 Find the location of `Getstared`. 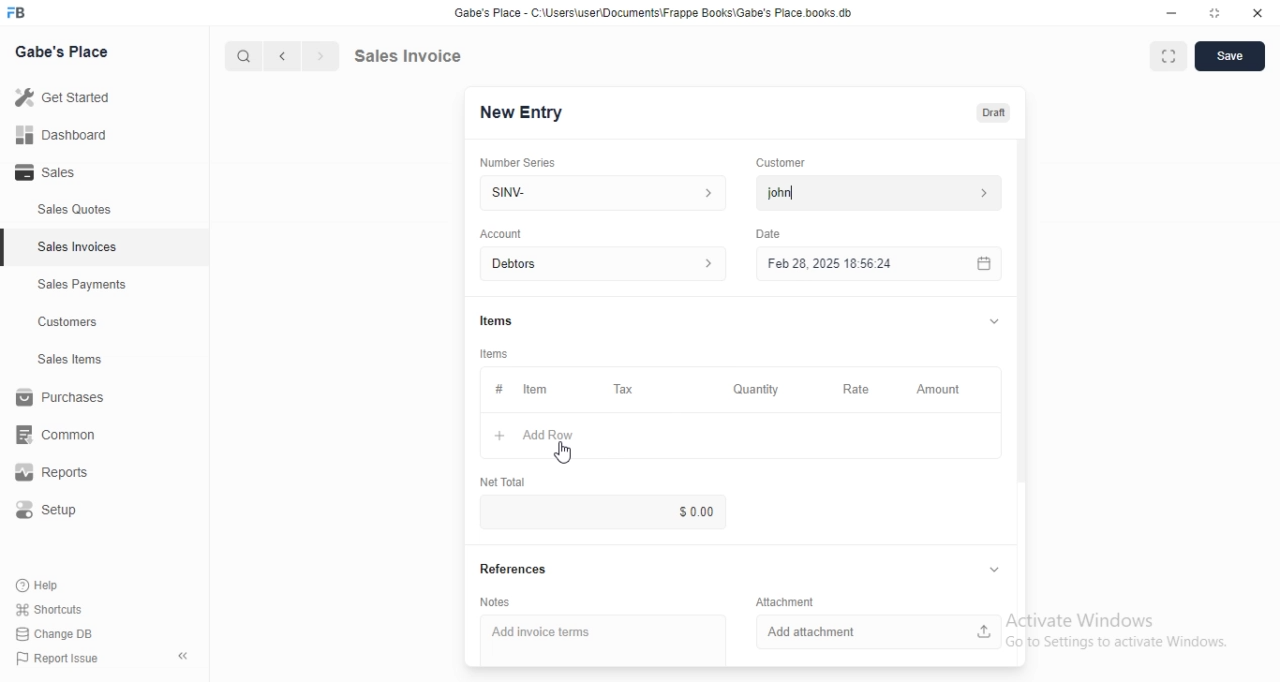

Getstared is located at coordinates (68, 99).